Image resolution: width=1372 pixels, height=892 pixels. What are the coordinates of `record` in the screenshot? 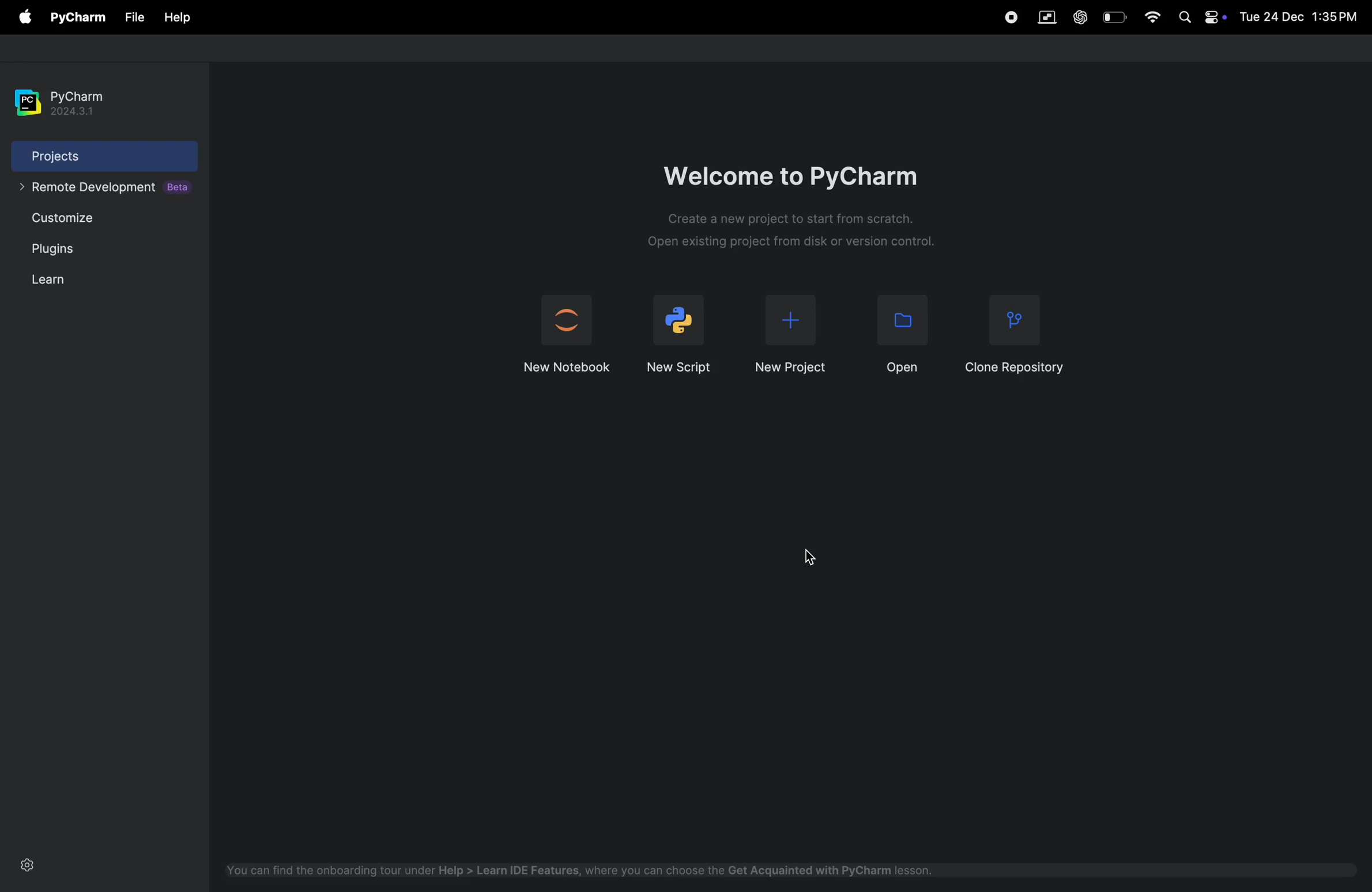 It's located at (1011, 17).